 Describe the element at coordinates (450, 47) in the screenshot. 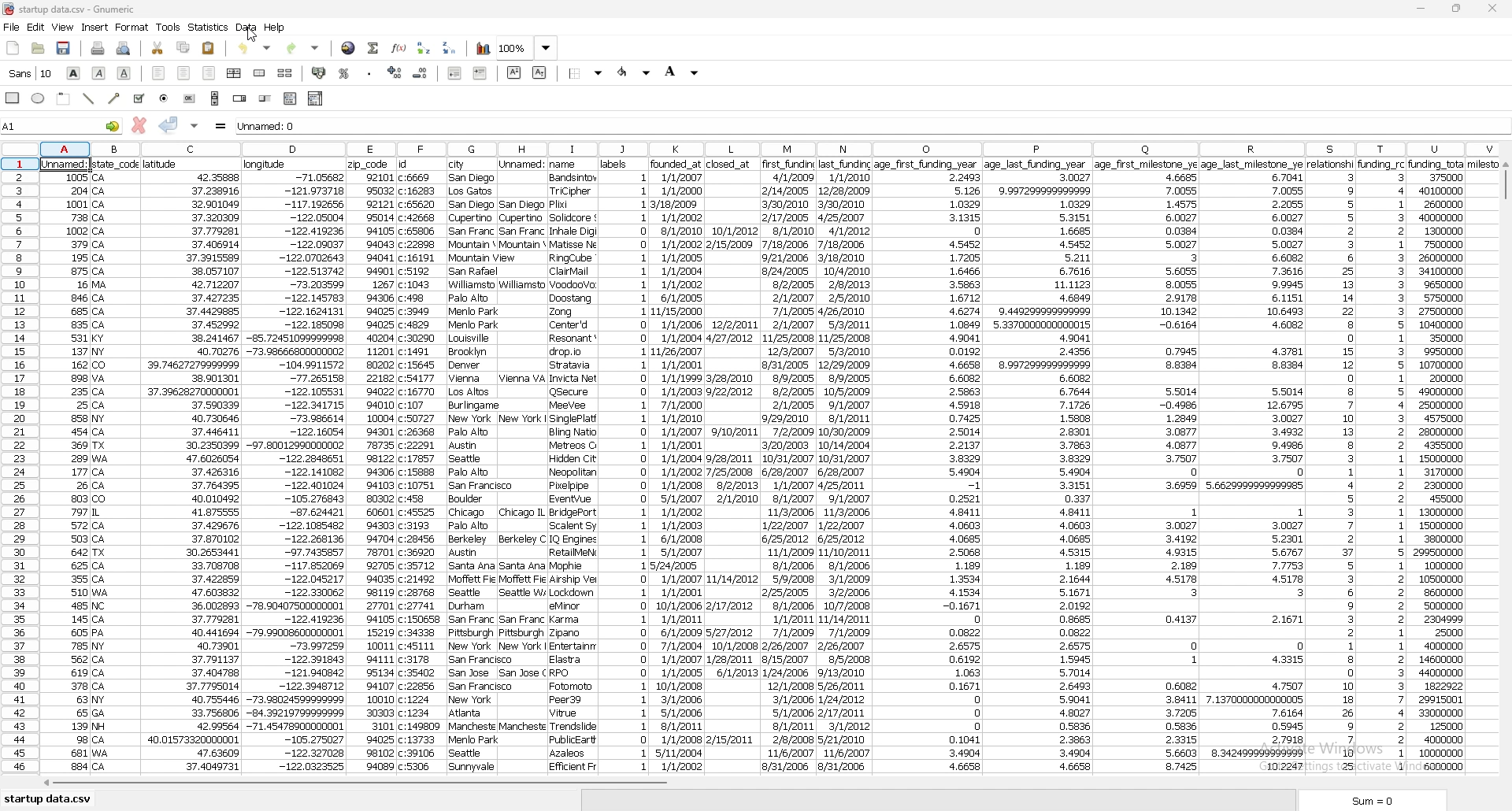

I see `sort descending` at that location.